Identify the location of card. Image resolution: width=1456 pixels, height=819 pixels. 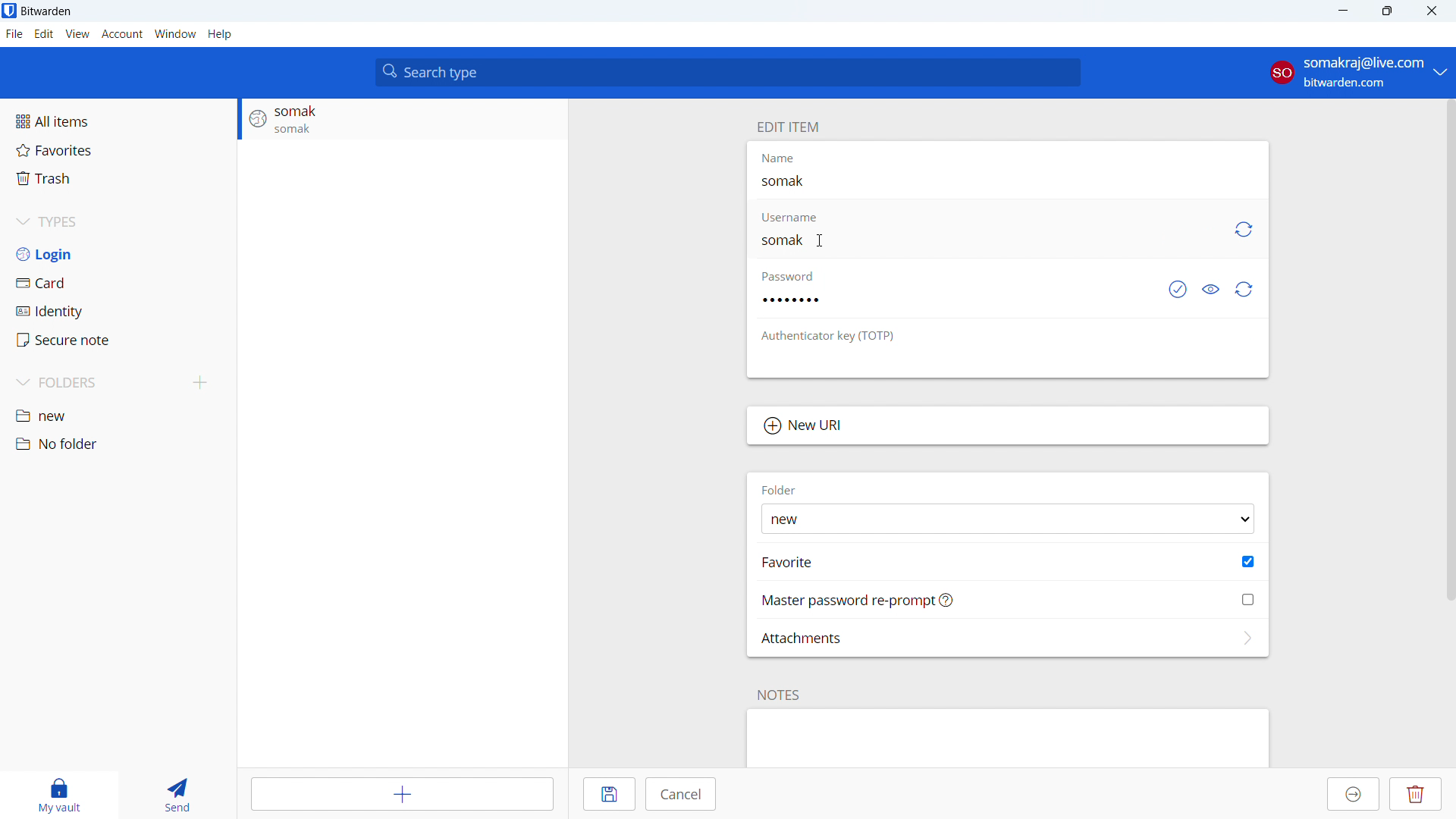
(118, 282).